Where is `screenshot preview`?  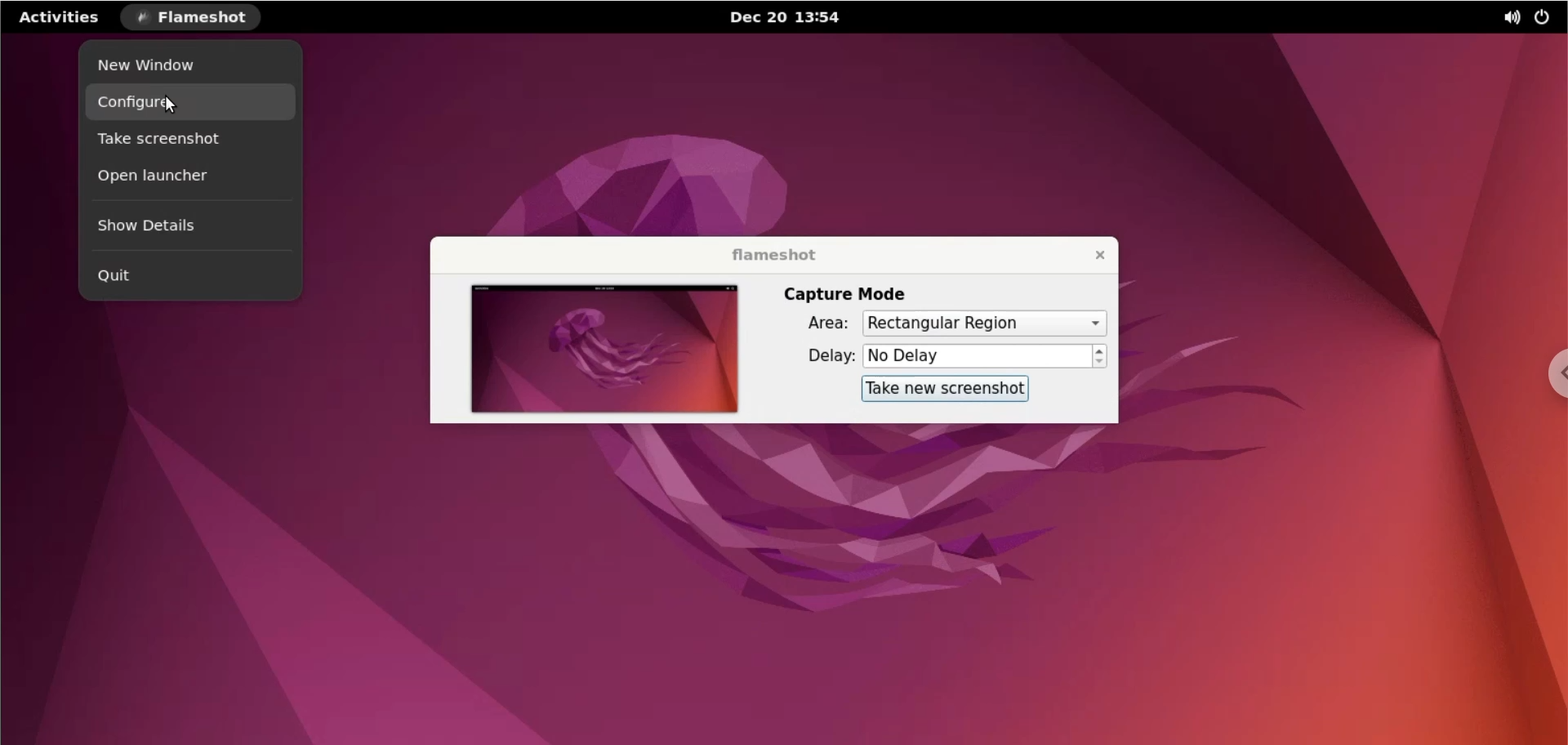
screenshot preview is located at coordinates (596, 349).